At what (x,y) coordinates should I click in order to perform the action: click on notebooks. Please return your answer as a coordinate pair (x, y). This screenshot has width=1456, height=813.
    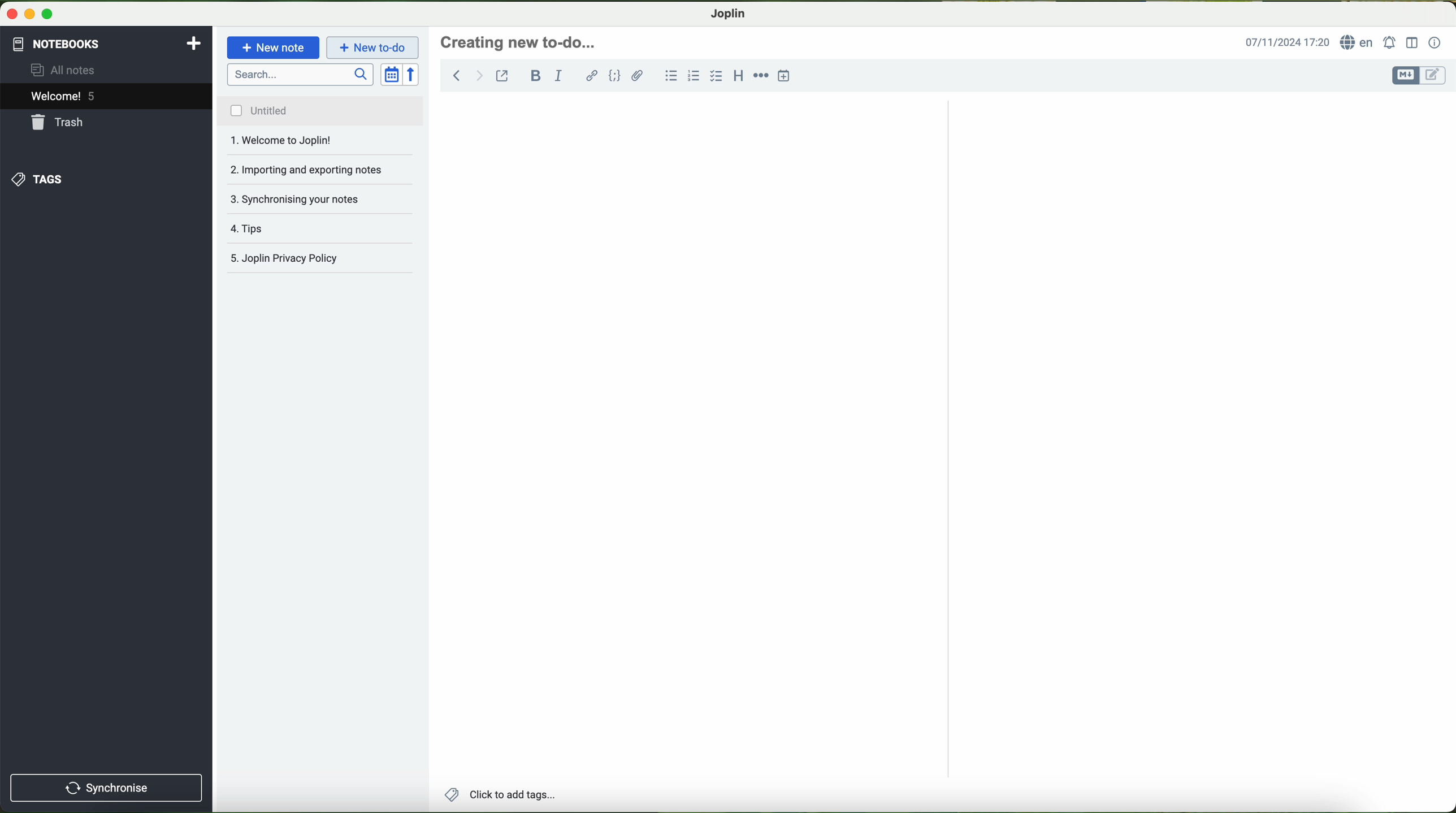
    Looking at the image, I should click on (55, 42).